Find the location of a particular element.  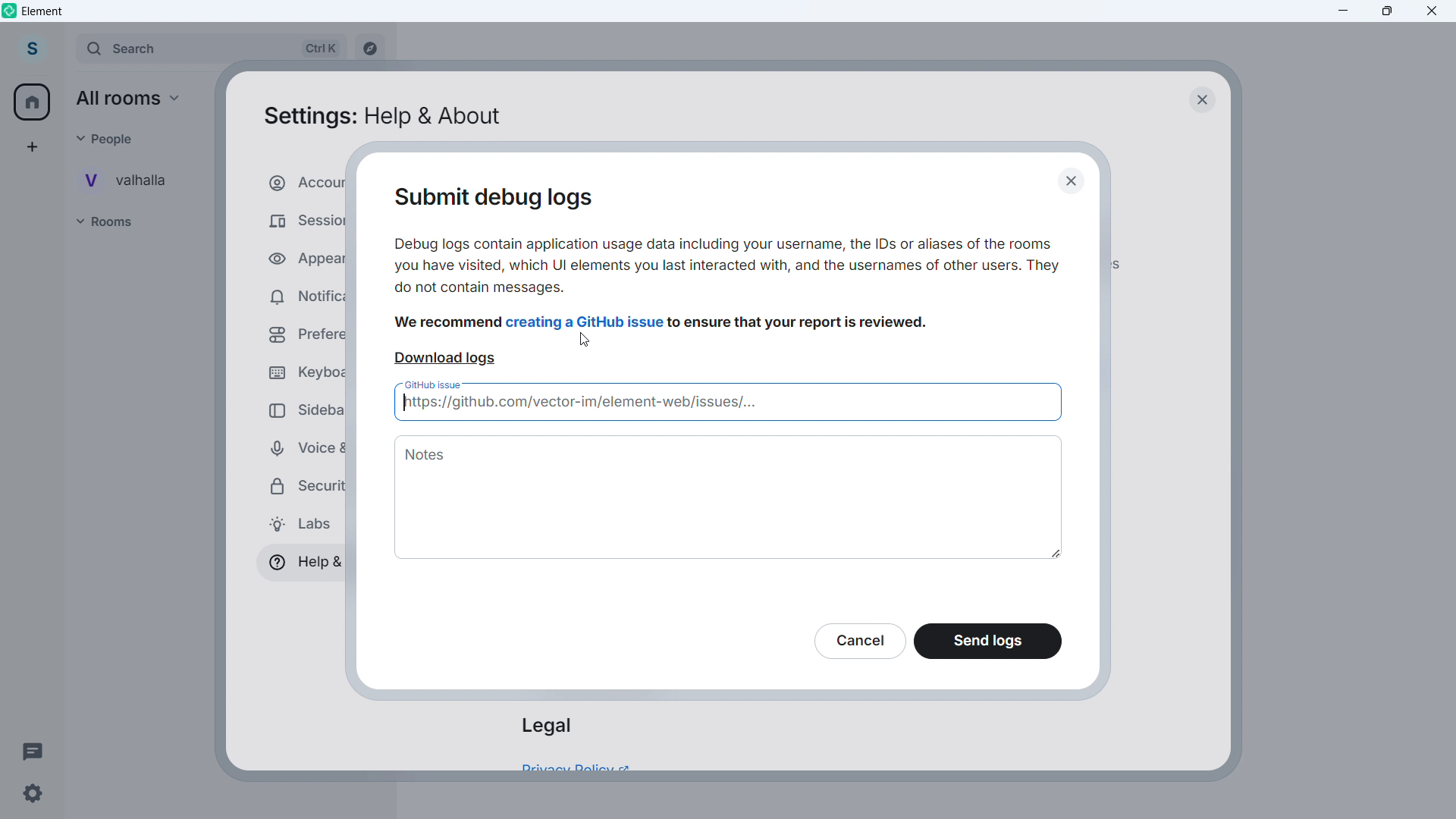

Threads  is located at coordinates (33, 750).